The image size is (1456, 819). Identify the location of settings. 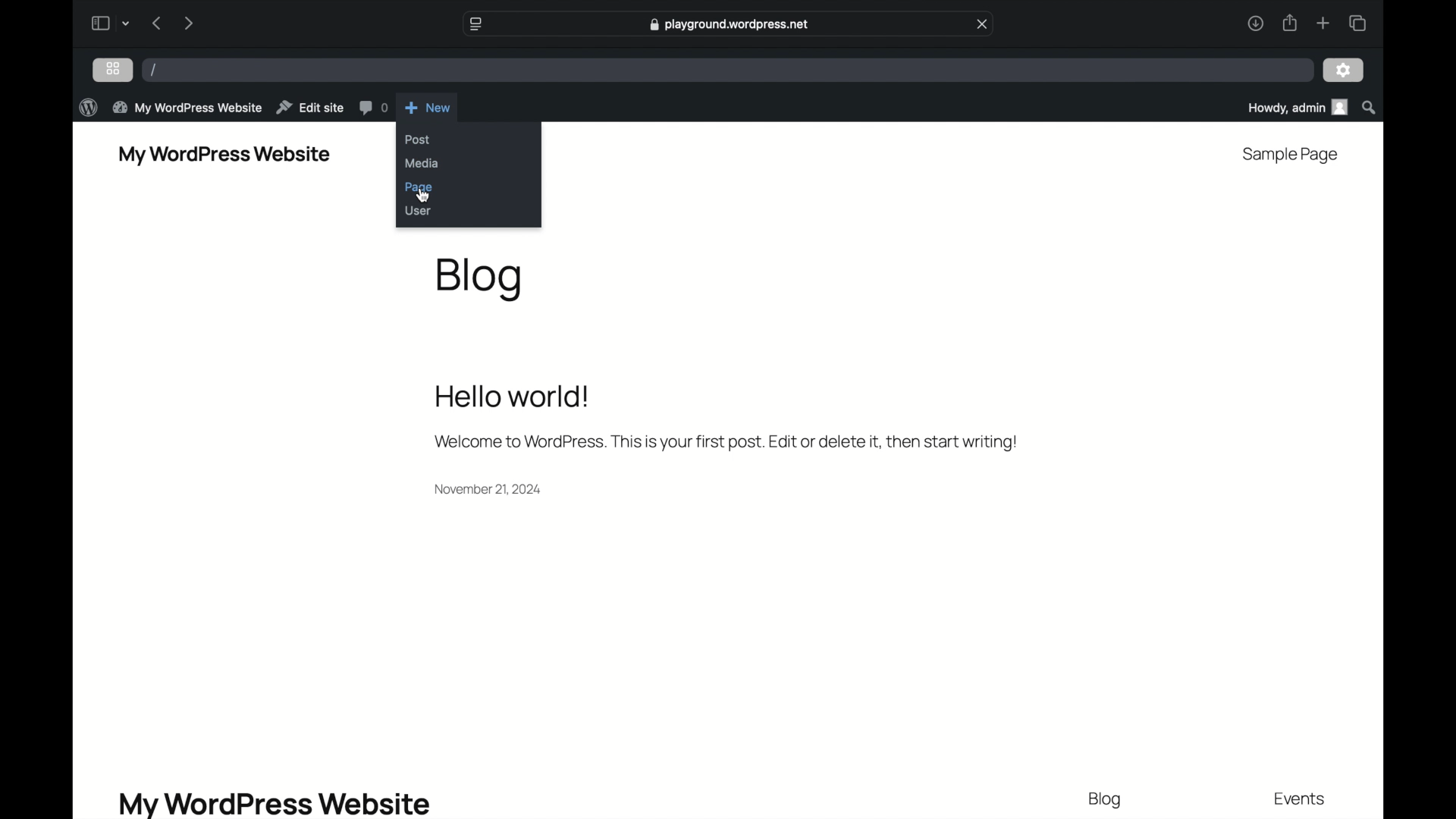
(1344, 71).